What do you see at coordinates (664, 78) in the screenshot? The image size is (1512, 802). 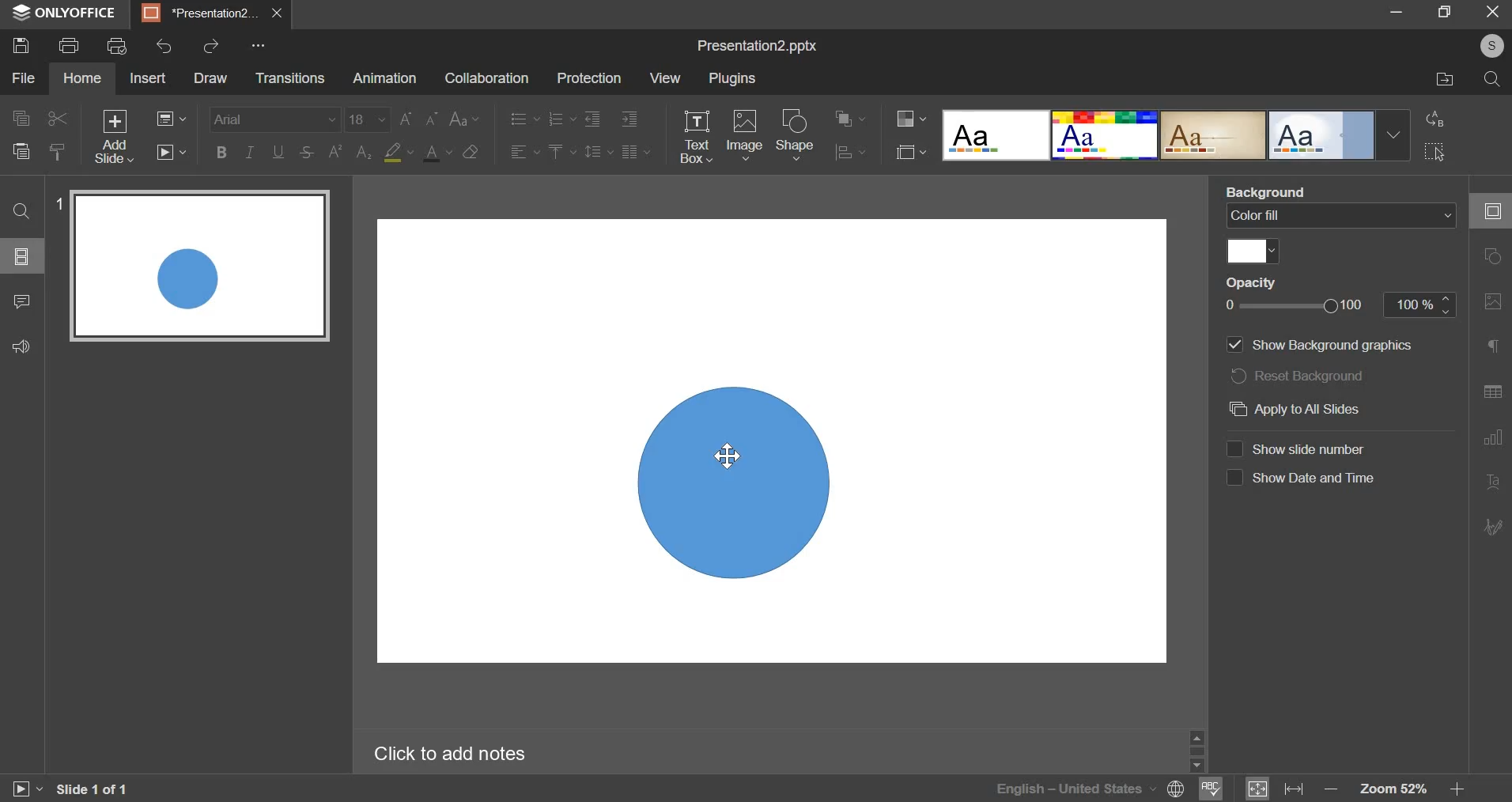 I see `view` at bounding box center [664, 78].